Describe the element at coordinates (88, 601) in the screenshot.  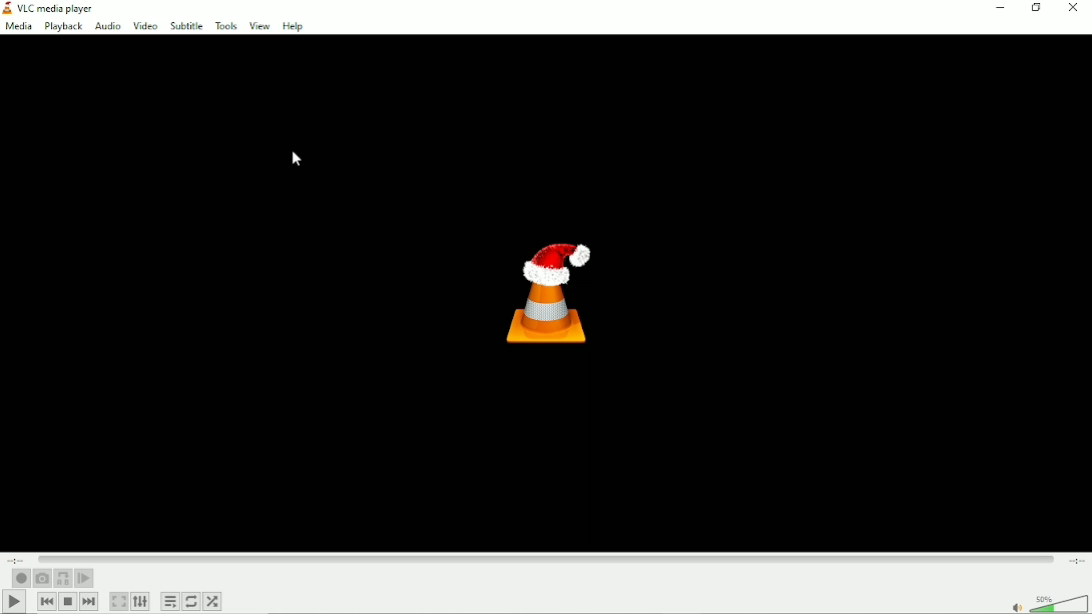
I see `Next` at that location.